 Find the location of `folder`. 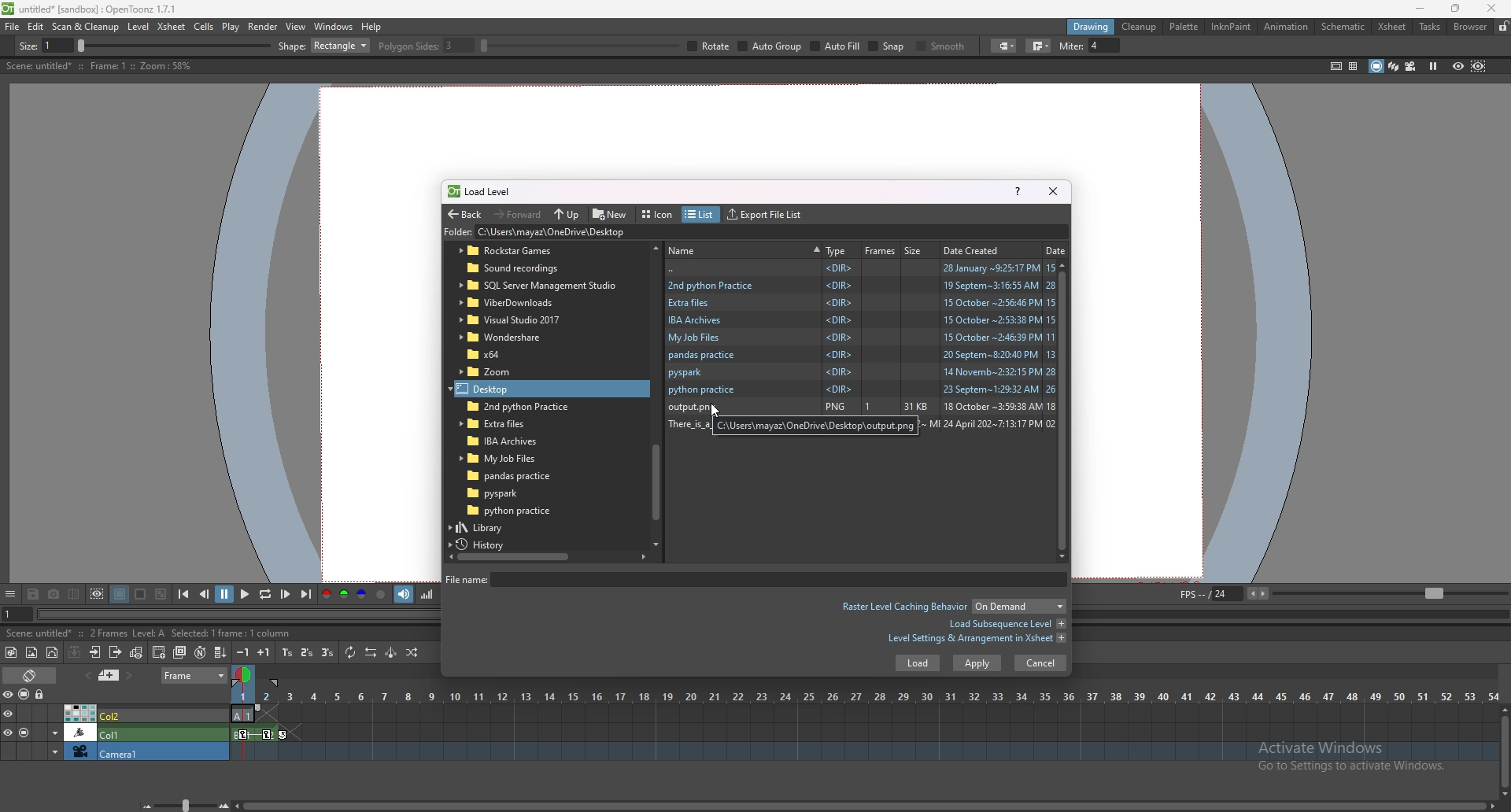

folder is located at coordinates (512, 511).